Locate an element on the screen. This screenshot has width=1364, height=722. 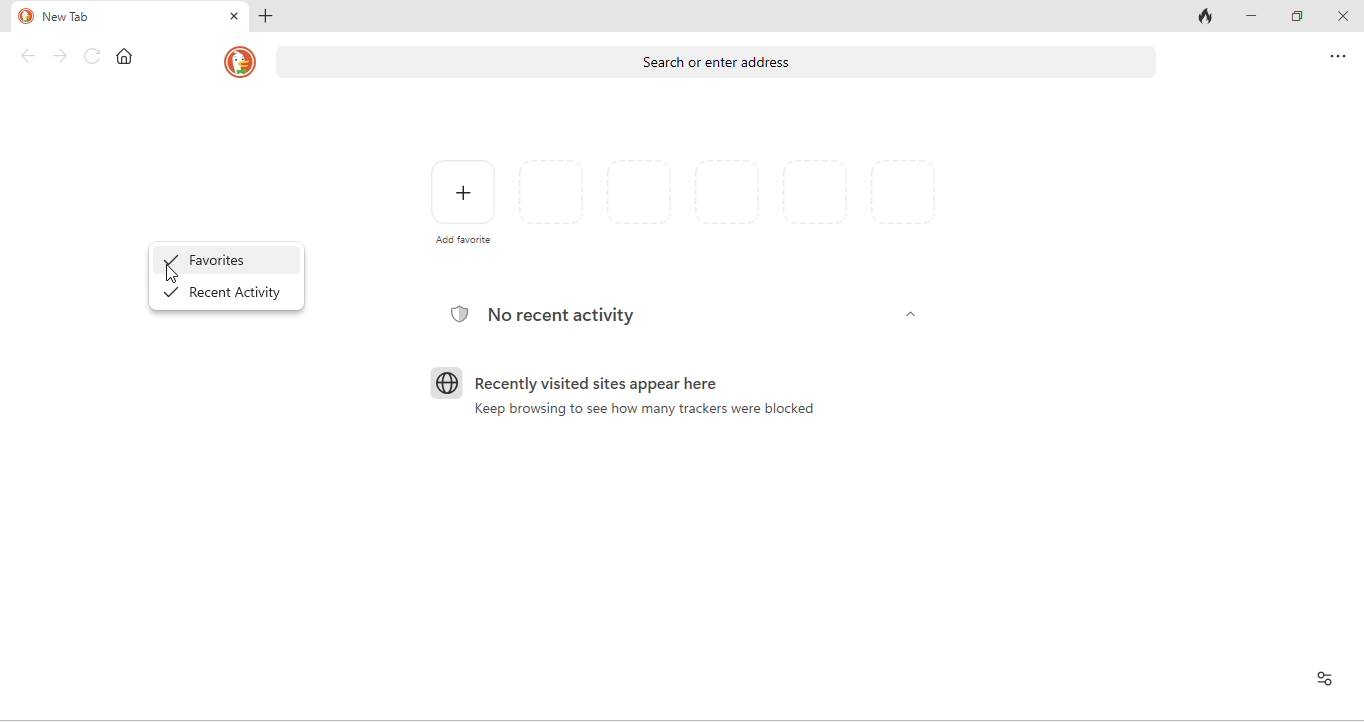
No recent activity is located at coordinates (564, 314).